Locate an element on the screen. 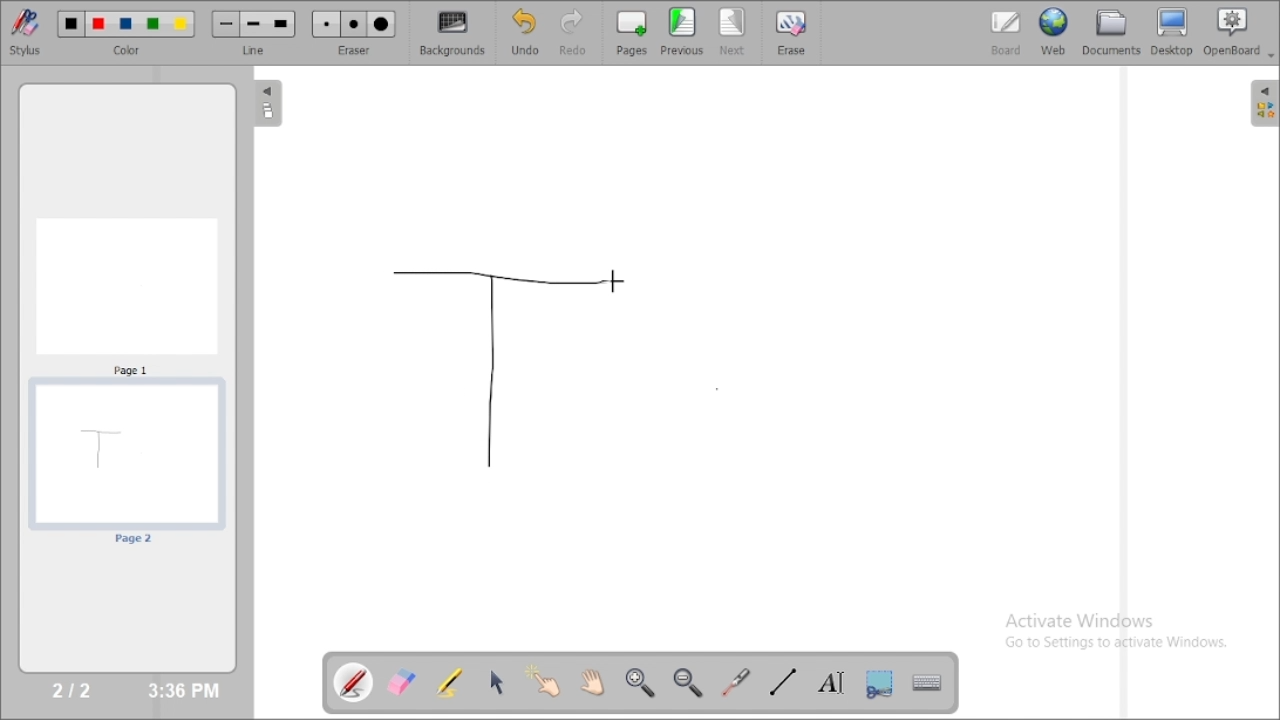 The image size is (1280, 720). Color 2 is located at coordinates (99, 25).